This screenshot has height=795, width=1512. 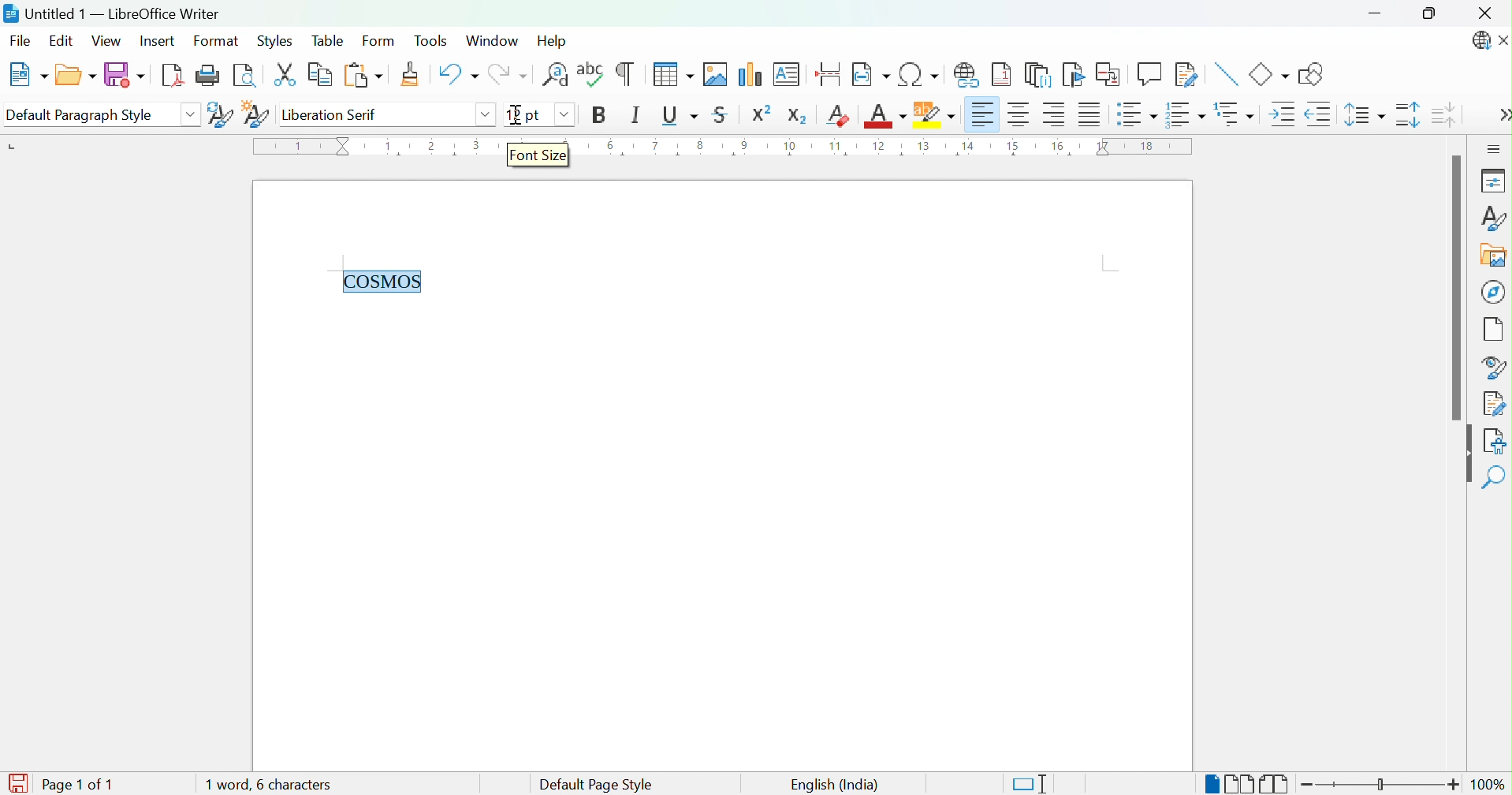 What do you see at coordinates (1408, 116) in the screenshot?
I see `Increase Paragraph Spacing` at bounding box center [1408, 116].